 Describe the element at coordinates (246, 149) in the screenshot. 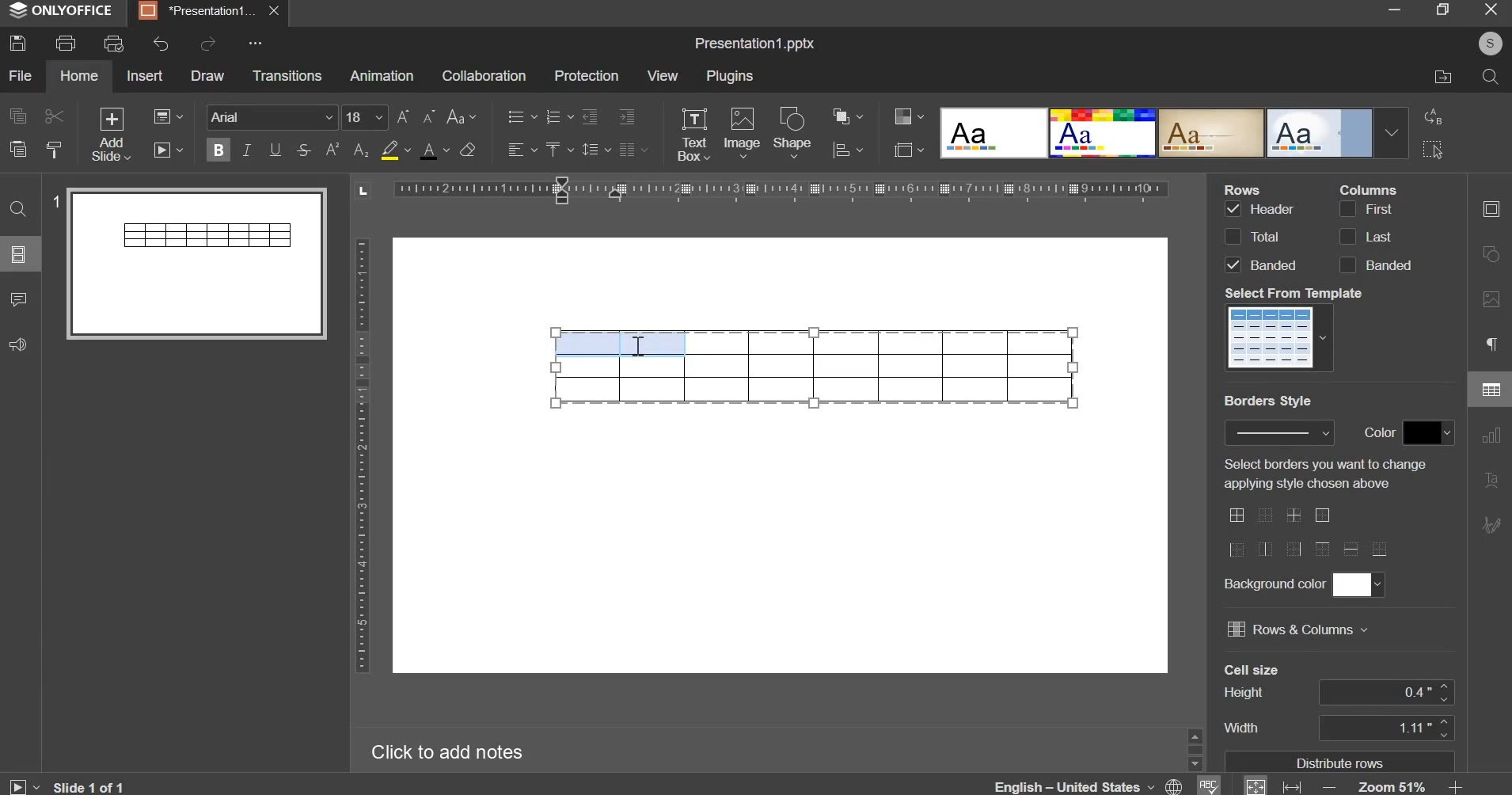

I see `italics` at that location.